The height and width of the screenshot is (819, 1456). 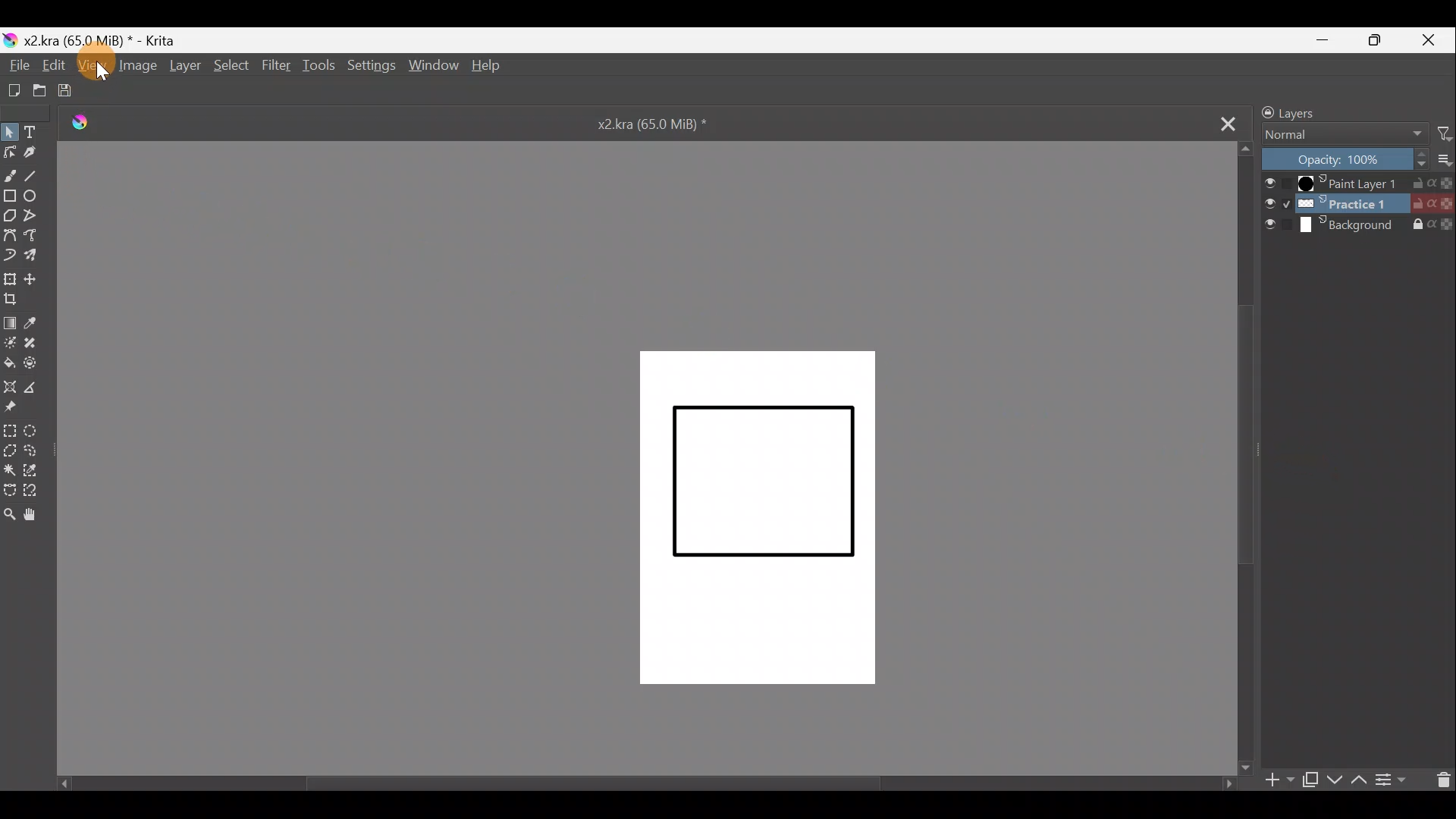 I want to click on Filter, so click(x=1445, y=133).